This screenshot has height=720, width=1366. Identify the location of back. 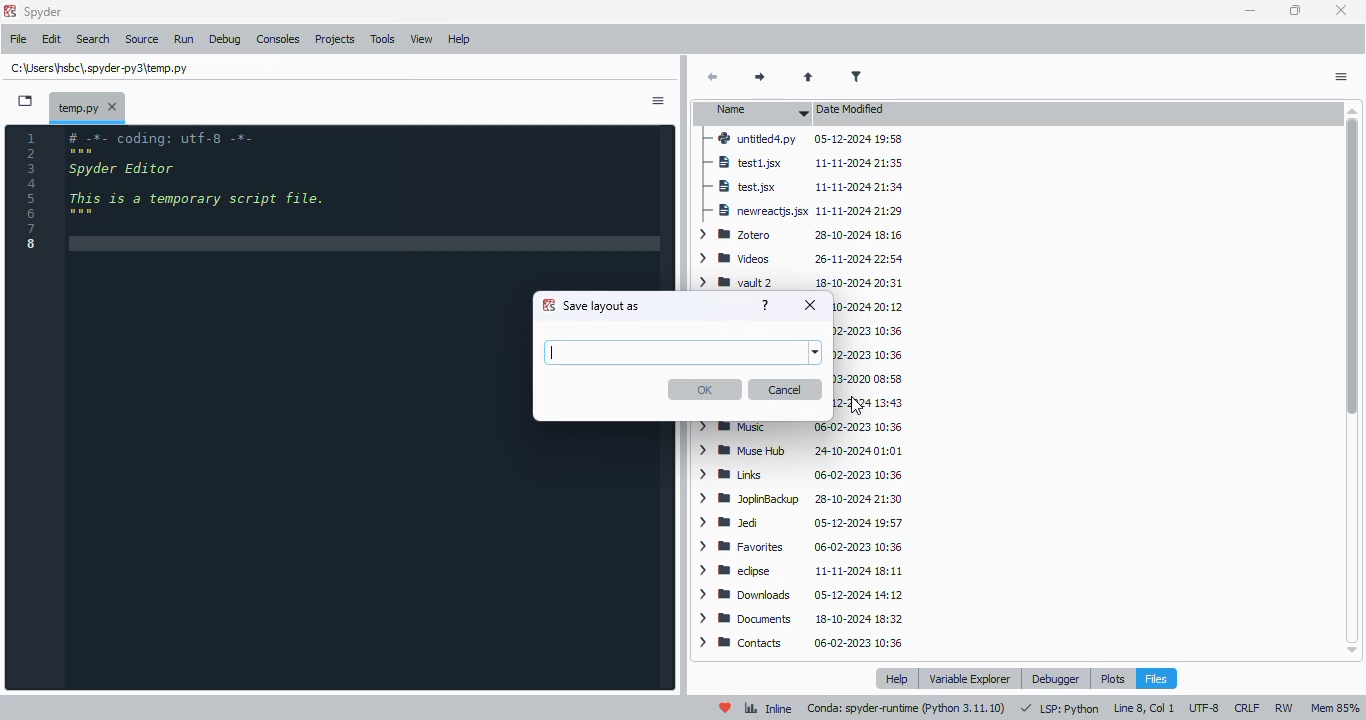
(714, 77).